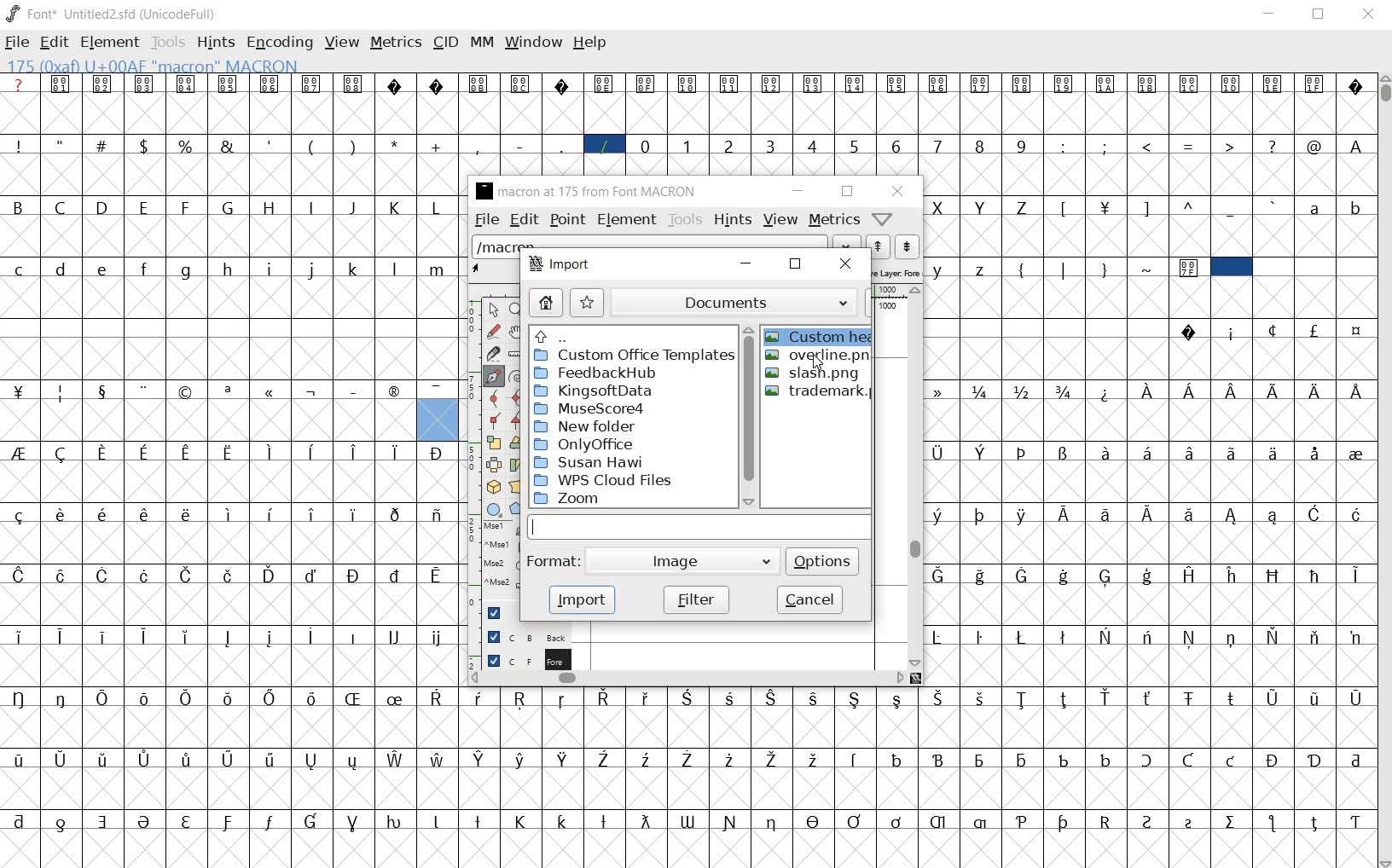 The image size is (1392, 868). What do you see at coordinates (146, 515) in the screenshot?
I see `Symbol` at bounding box center [146, 515].